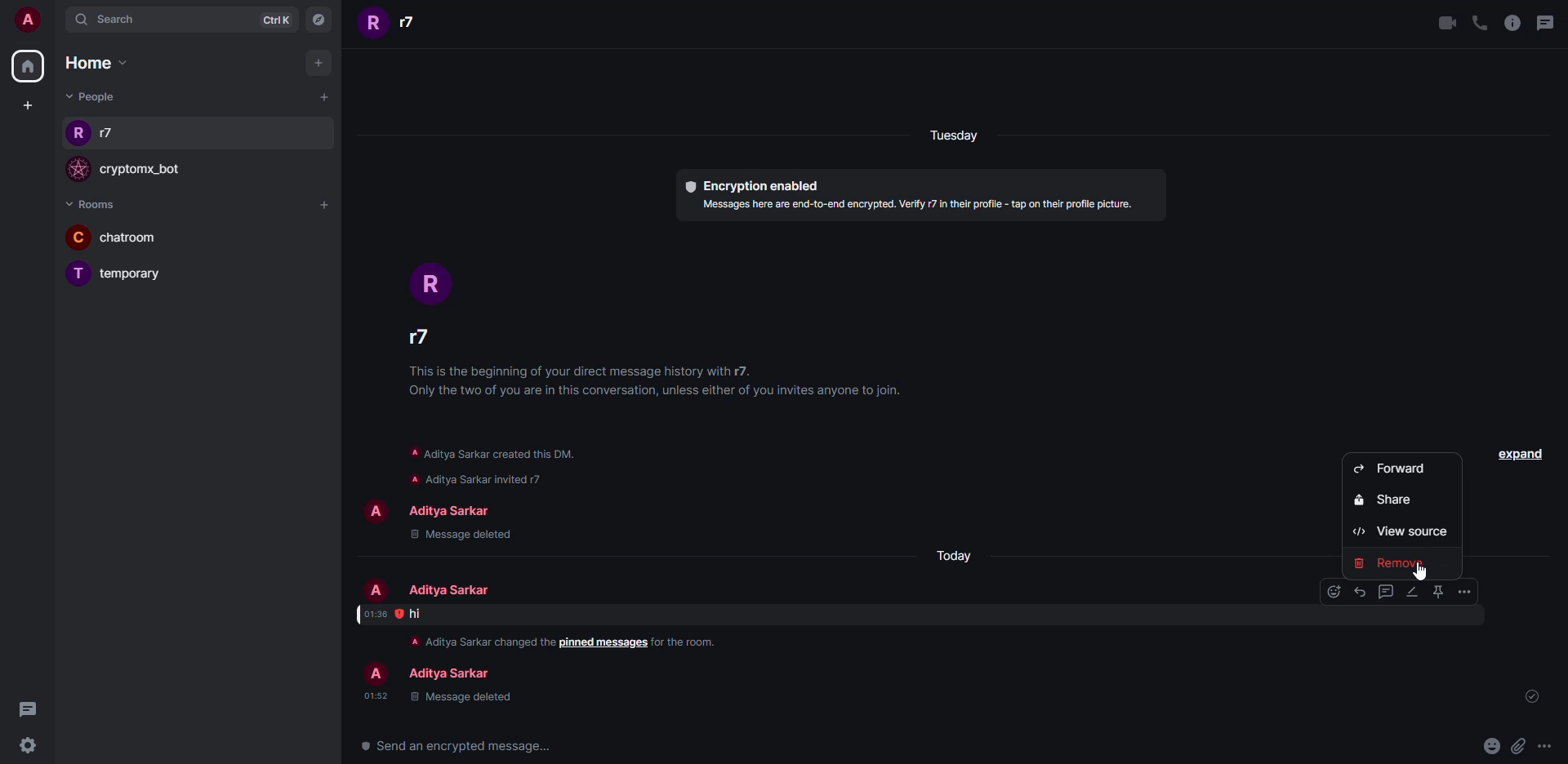  Describe the element at coordinates (377, 590) in the screenshot. I see `profile` at that location.